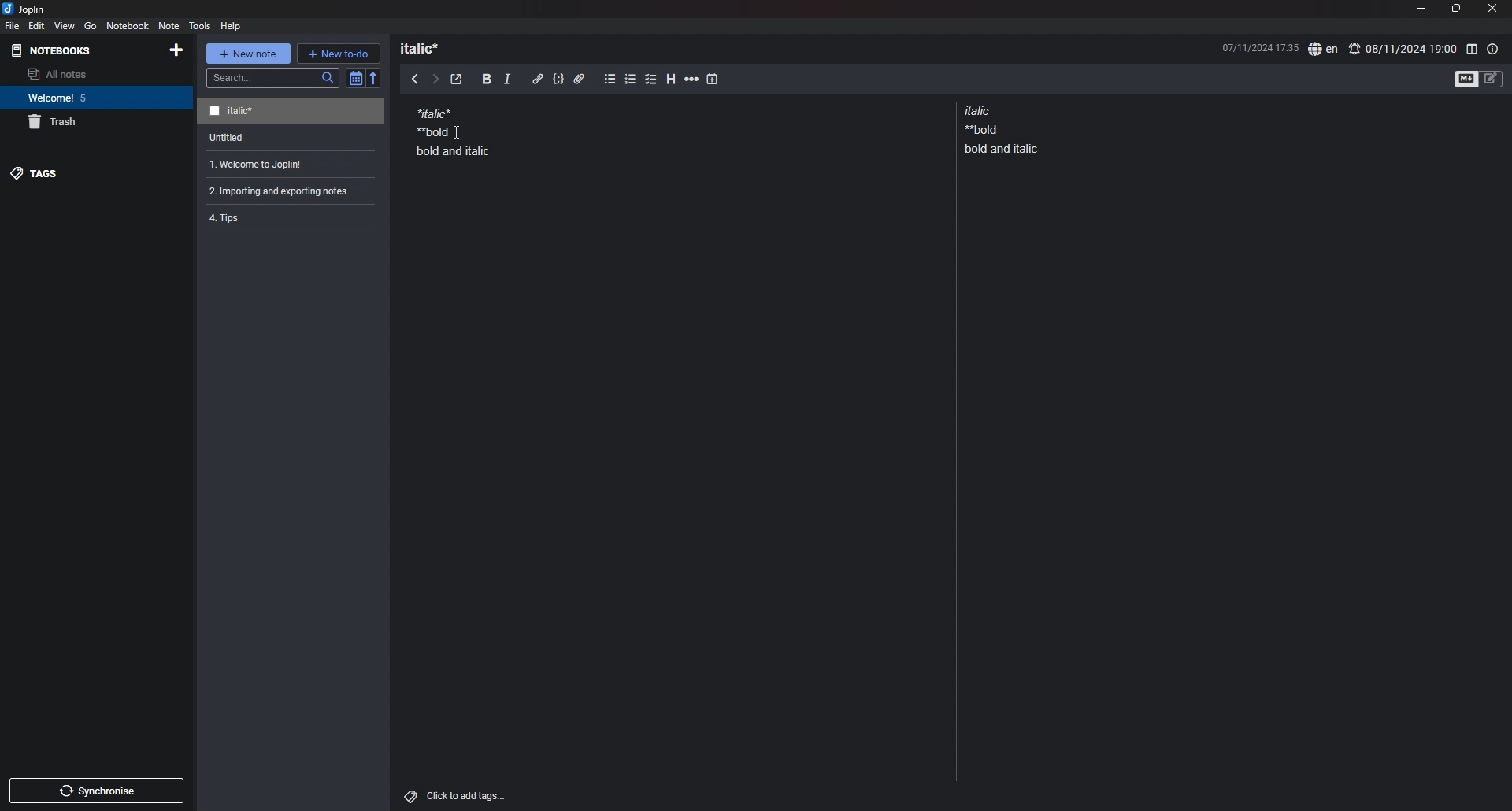  Describe the element at coordinates (338, 53) in the screenshot. I see `new todo` at that location.